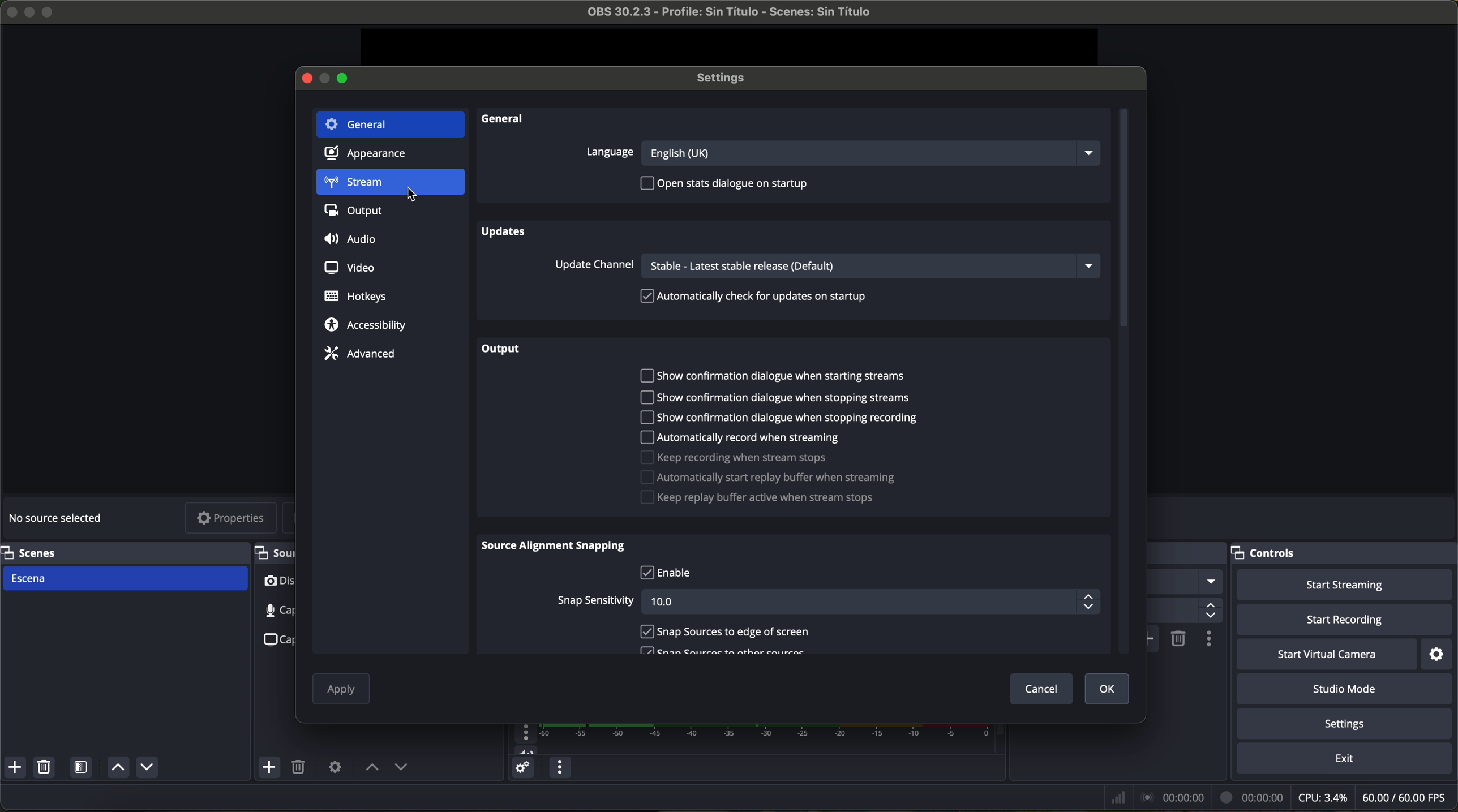 Image resolution: width=1458 pixels, height=812 pixels. Describe the element at coordinates (1345, 586) in the screenshot. I see `click on start streaming` at that location.